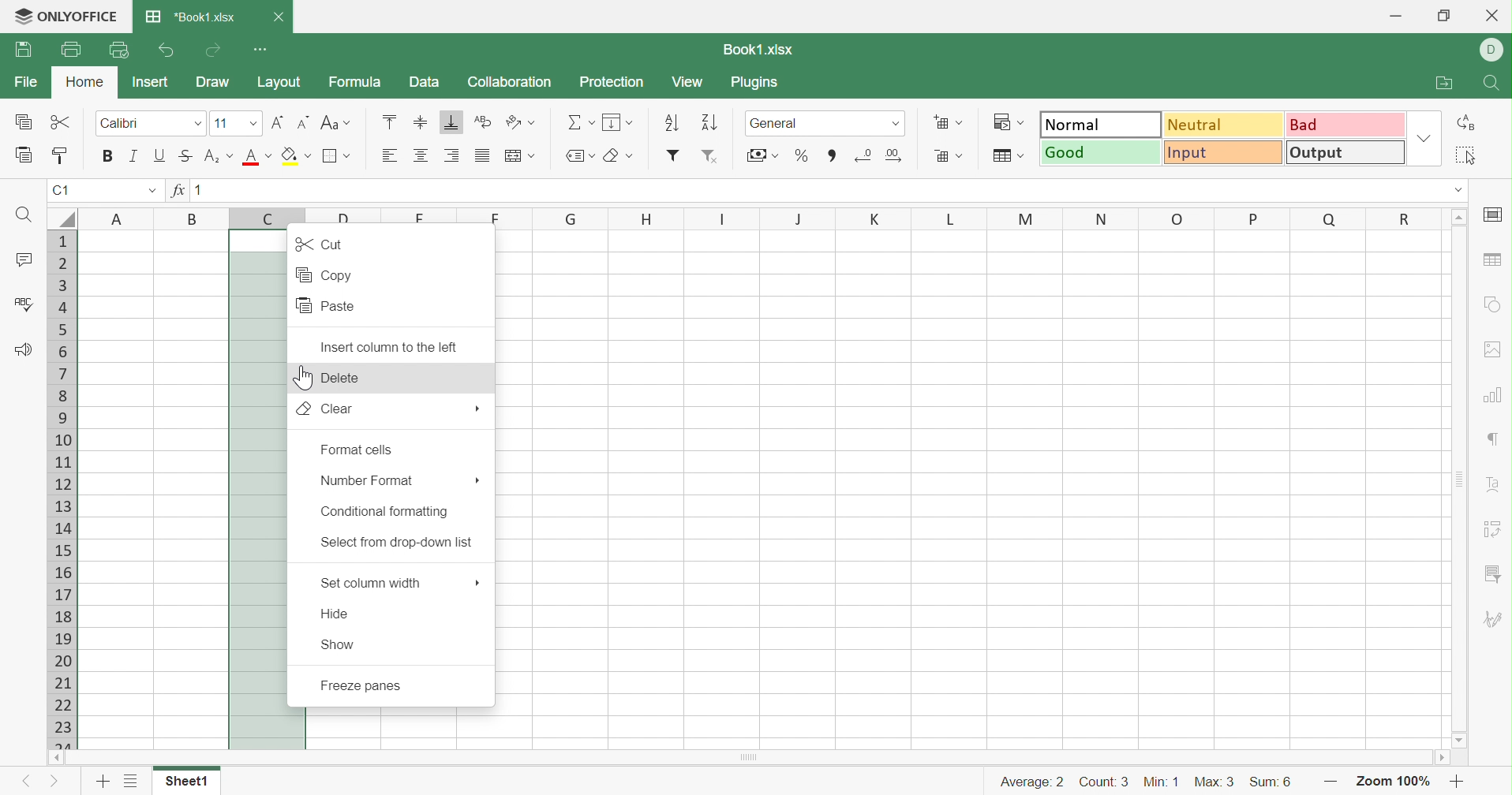 The width and height of the screenshot is (1512, 795). What do you see at coordinates (864, 155) in the screenshot?
I see `Decrease decimals` at bounding box center [864, 155].